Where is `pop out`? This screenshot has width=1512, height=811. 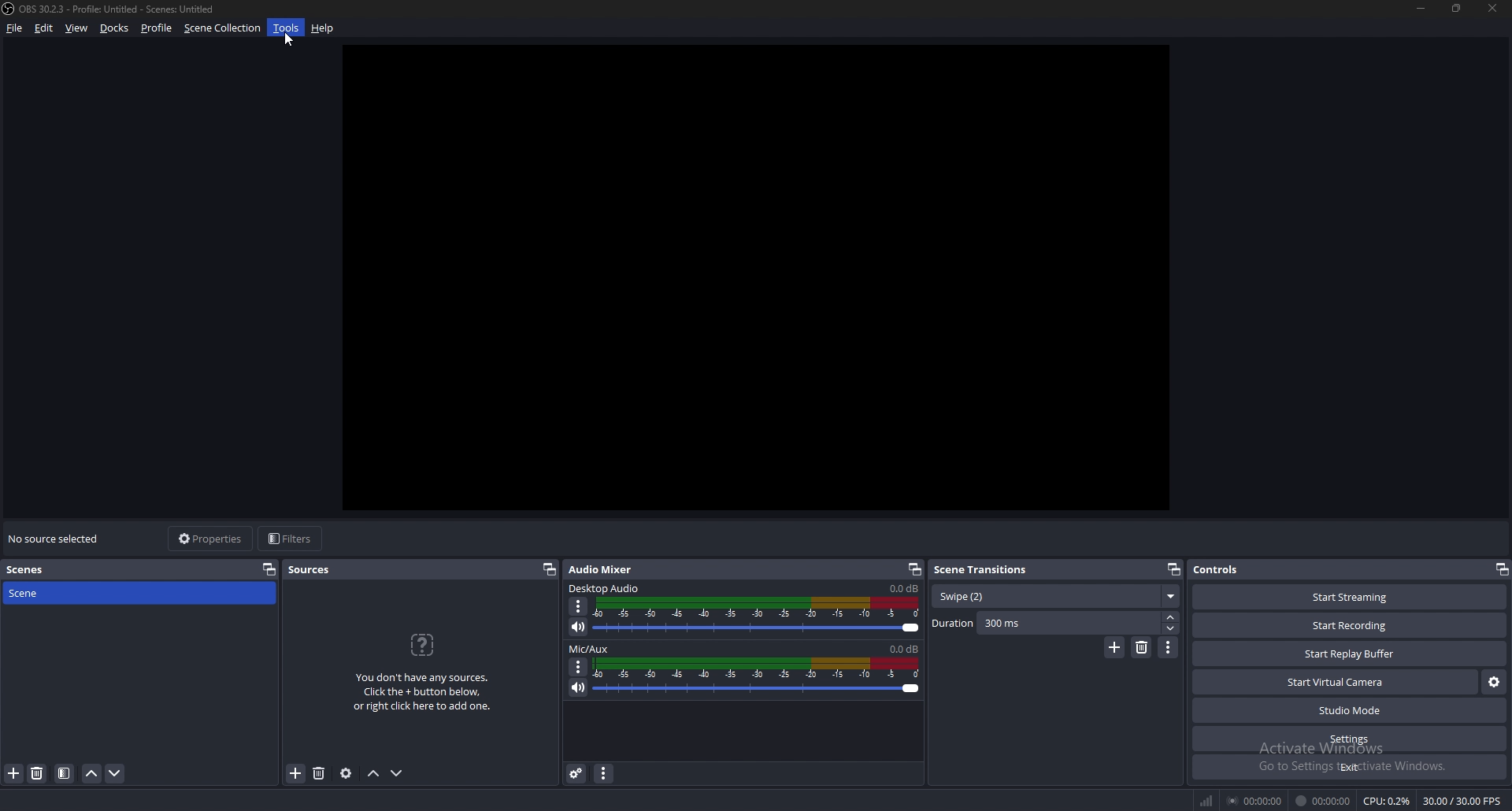 pop out is located at coordinates (548, 569).